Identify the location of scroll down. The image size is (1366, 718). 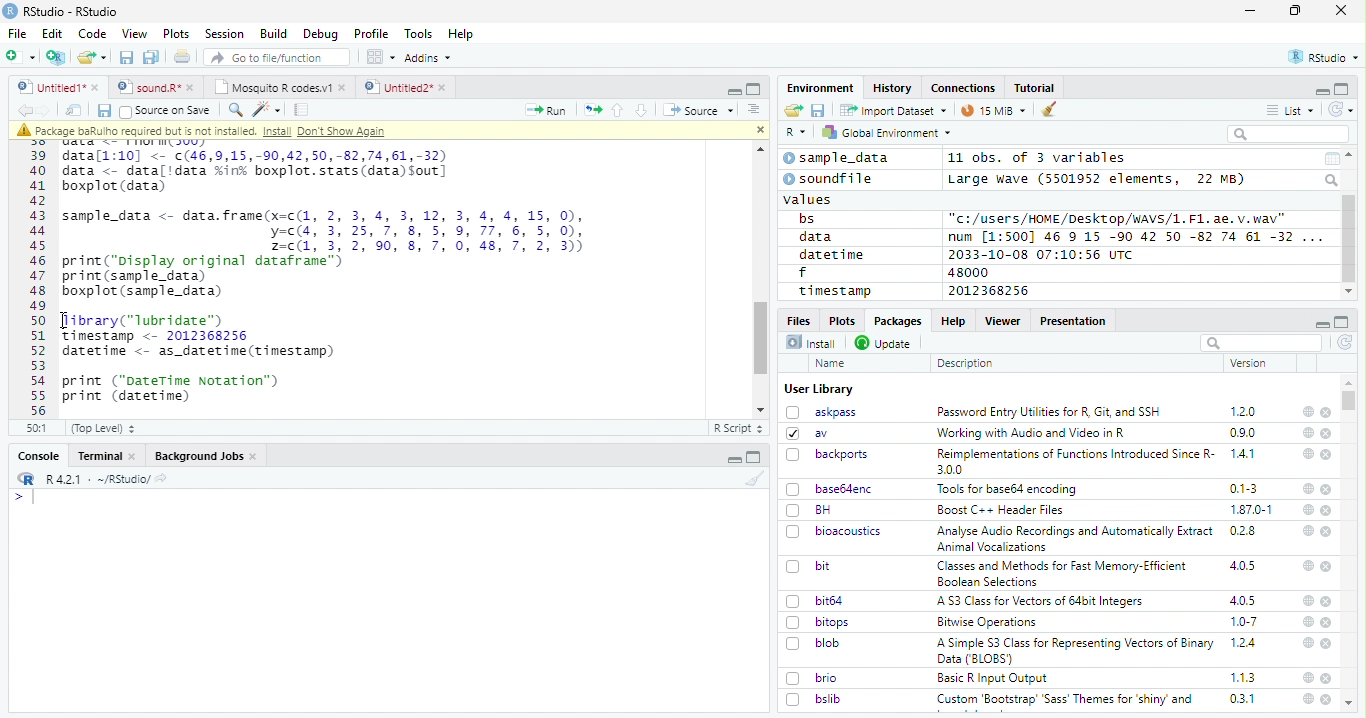
(1348, 292).